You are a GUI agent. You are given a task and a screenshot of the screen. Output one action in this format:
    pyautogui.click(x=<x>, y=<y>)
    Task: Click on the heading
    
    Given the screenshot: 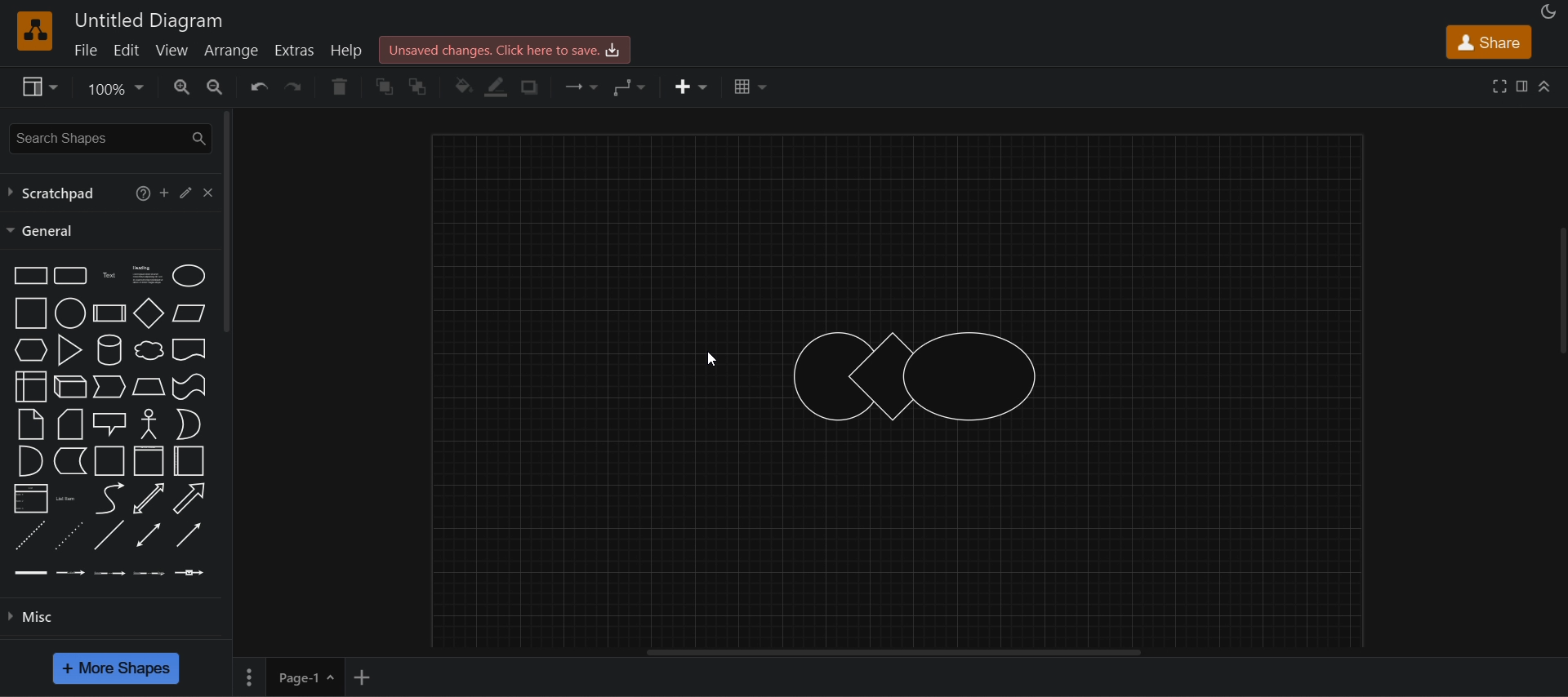 What is the action you would take?
    pyautogui.click(x=146, y=273)
    